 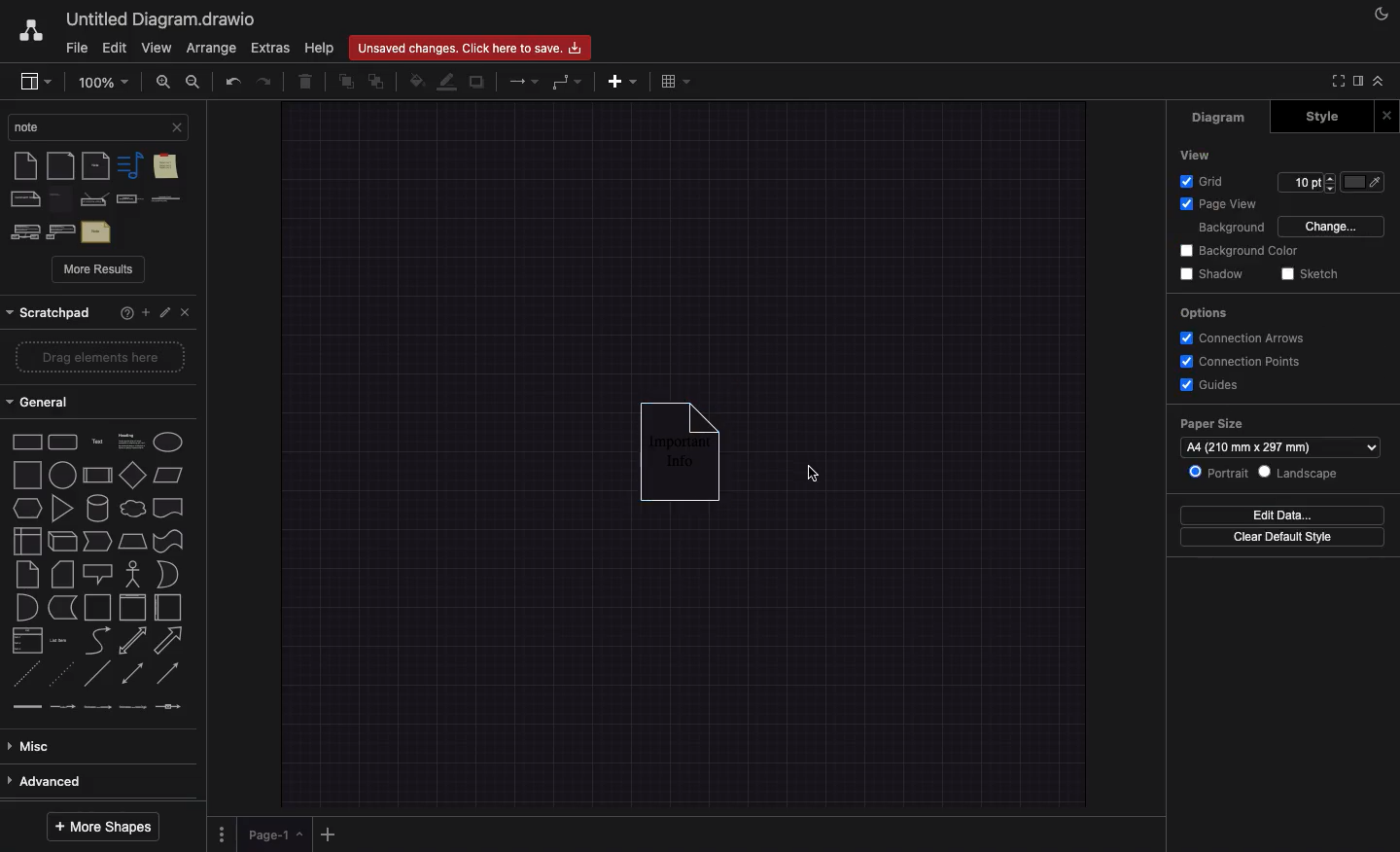 What do you see at coordinates (62, 677) in the screenshot?
I see `dotted line` at bounding box center [62, 677].